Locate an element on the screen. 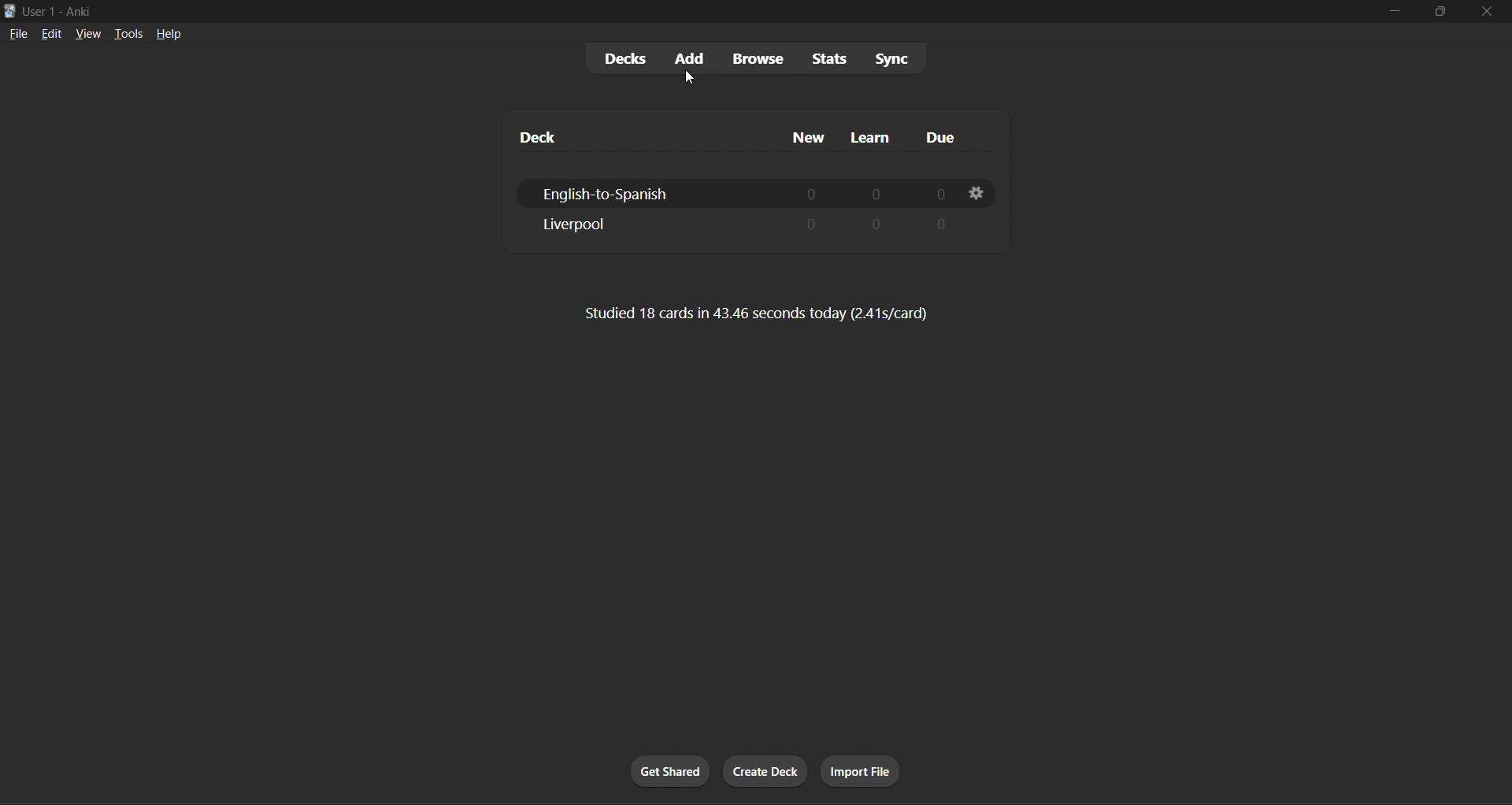 The width and height of the screenshot is (1512, 805). due column is located at coordinates (949, 139).